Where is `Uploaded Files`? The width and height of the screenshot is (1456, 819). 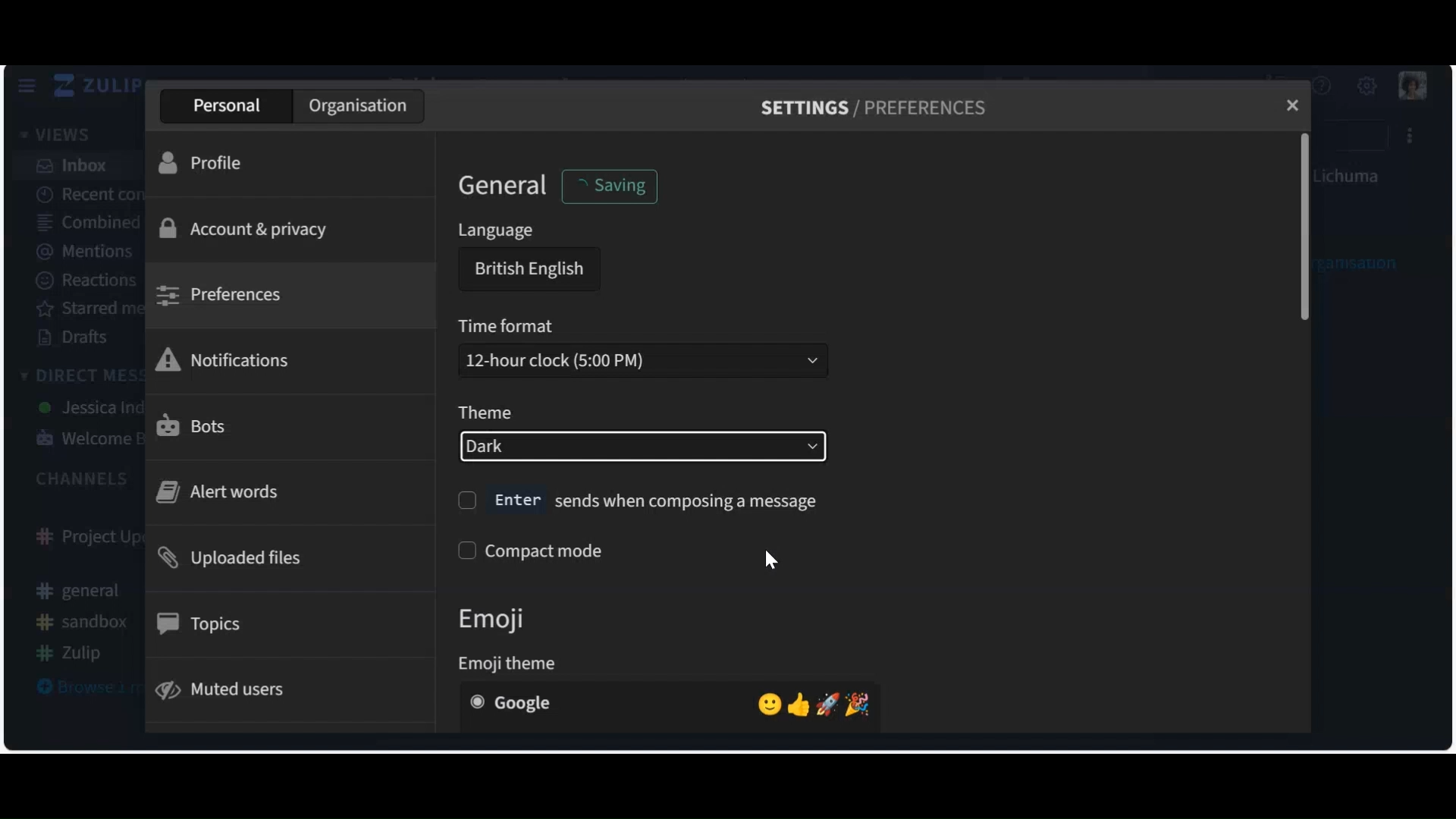
Uploaded Files is located at coordinates (234, 561).